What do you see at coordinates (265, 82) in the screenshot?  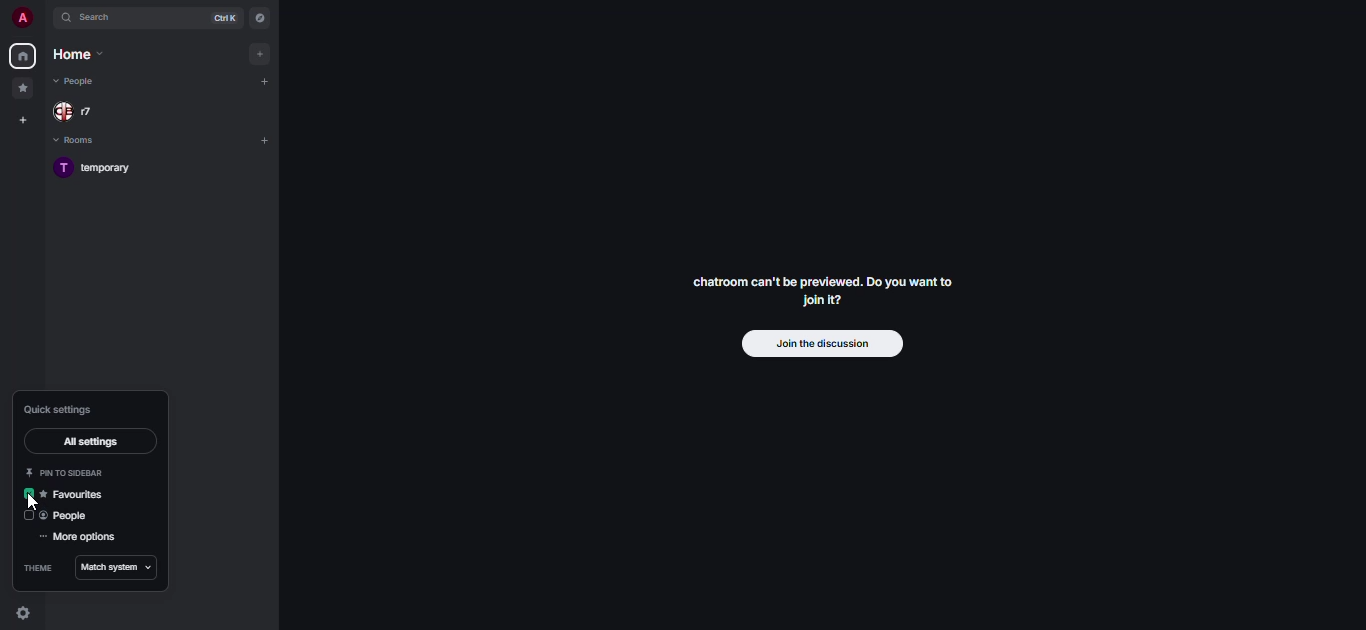 I see `add` at bounding box center [265, 82].